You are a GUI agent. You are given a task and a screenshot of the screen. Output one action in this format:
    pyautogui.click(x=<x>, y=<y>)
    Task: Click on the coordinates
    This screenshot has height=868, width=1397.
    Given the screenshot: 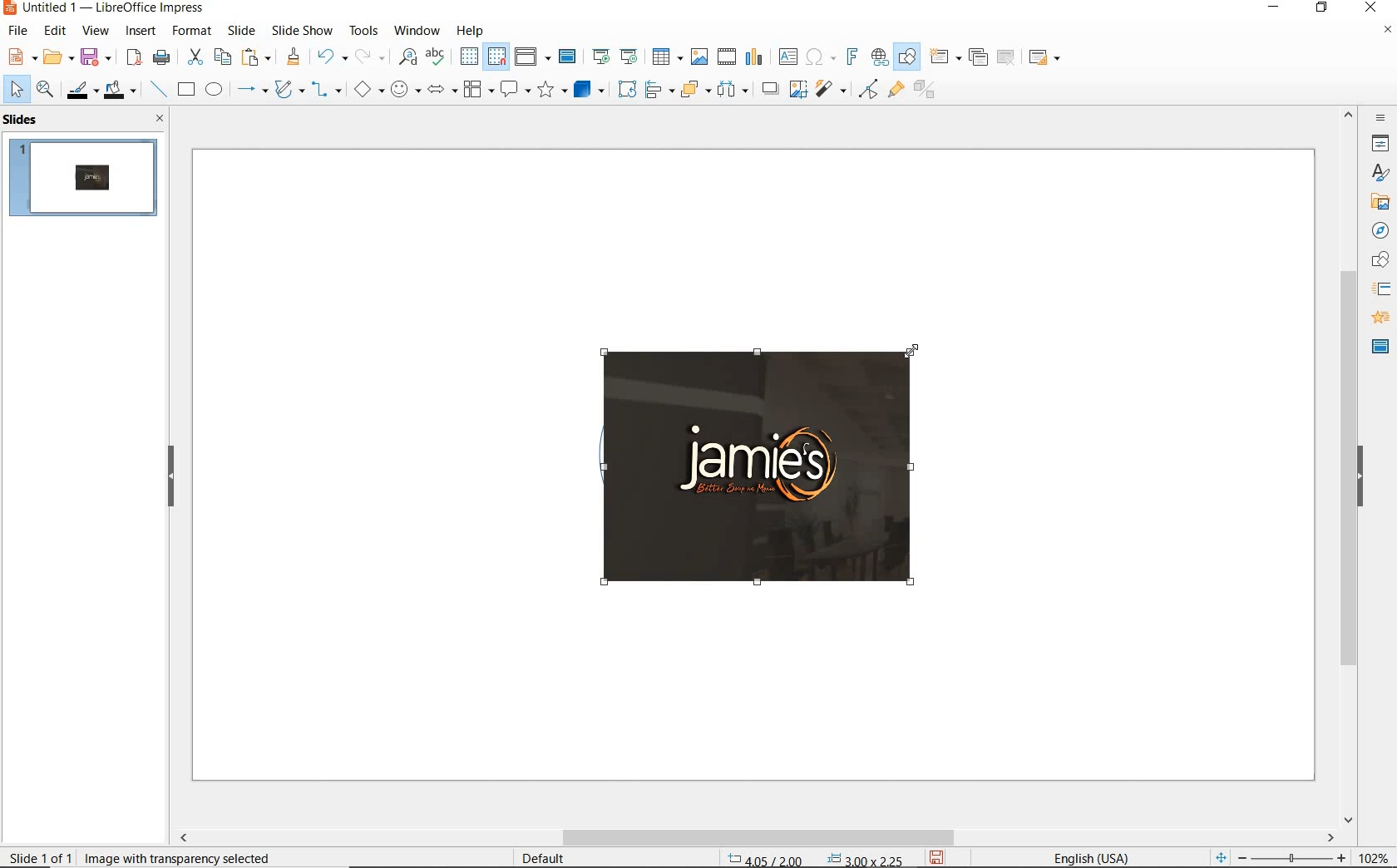 What is the action you would take?
    pyautogui.click(x=813, y=860)
    